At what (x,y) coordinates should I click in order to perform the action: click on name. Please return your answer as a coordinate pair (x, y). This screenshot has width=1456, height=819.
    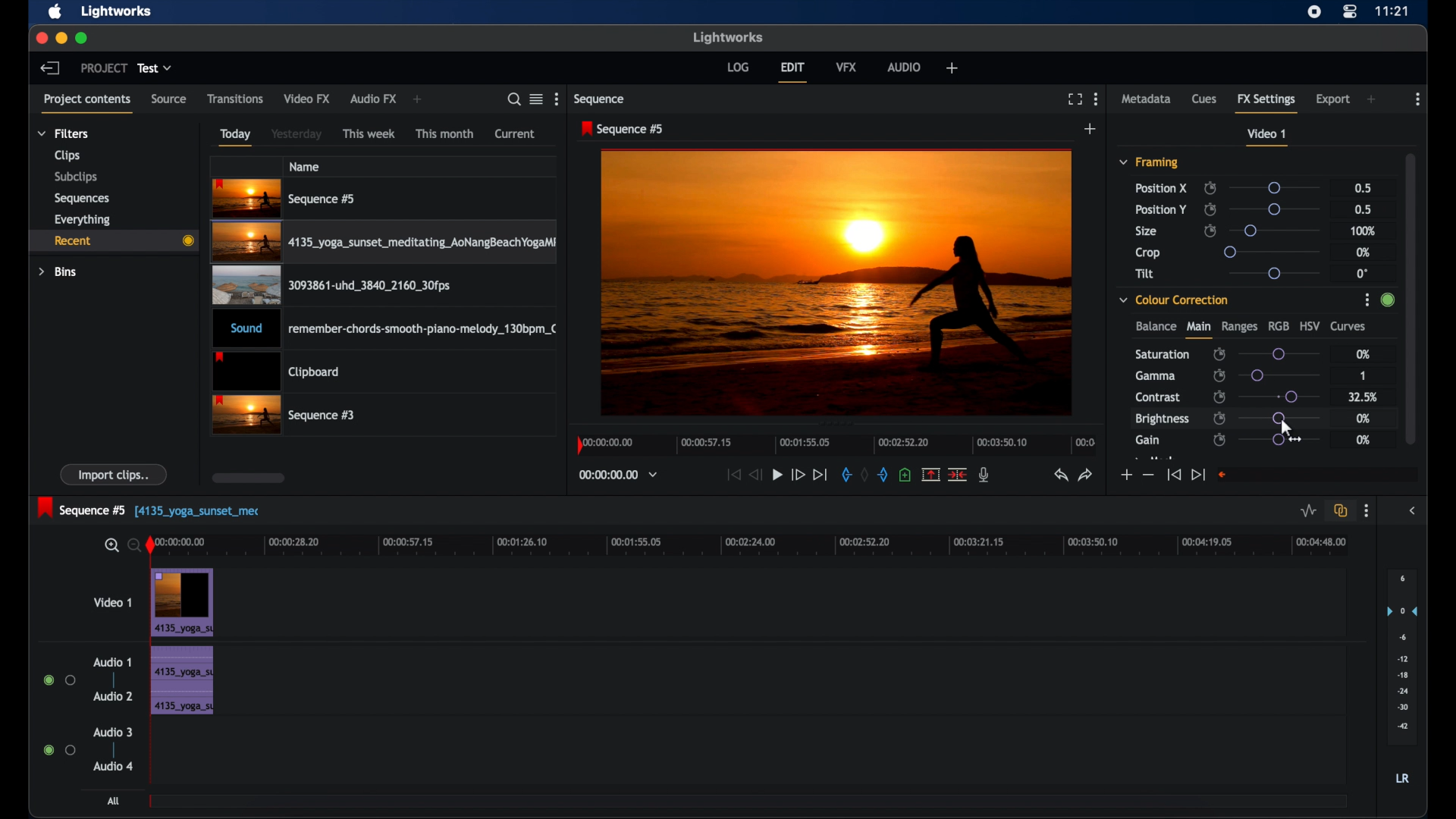
    Looking at the image, I should click on (306, 166).